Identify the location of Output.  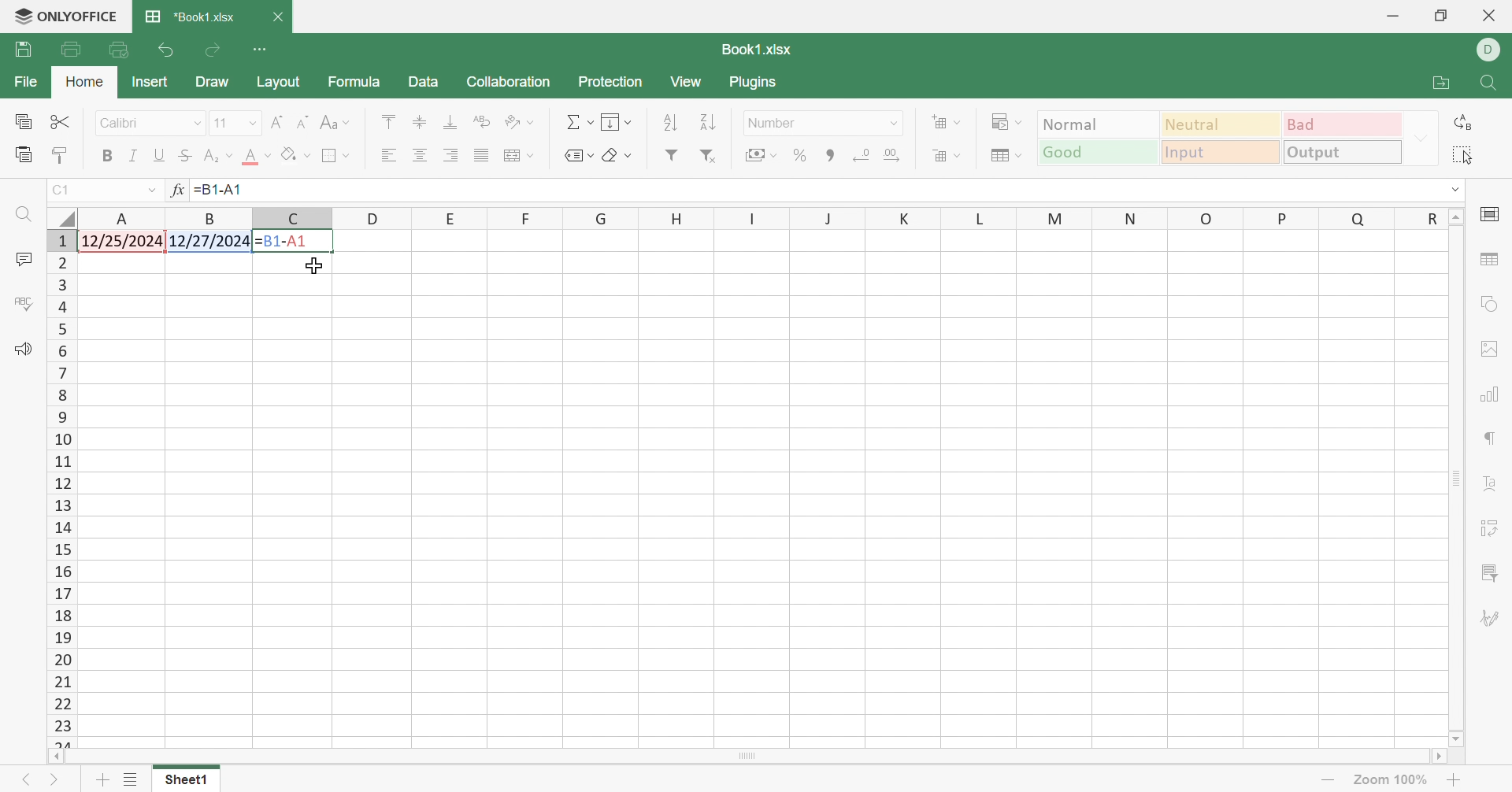
(1341, 151).